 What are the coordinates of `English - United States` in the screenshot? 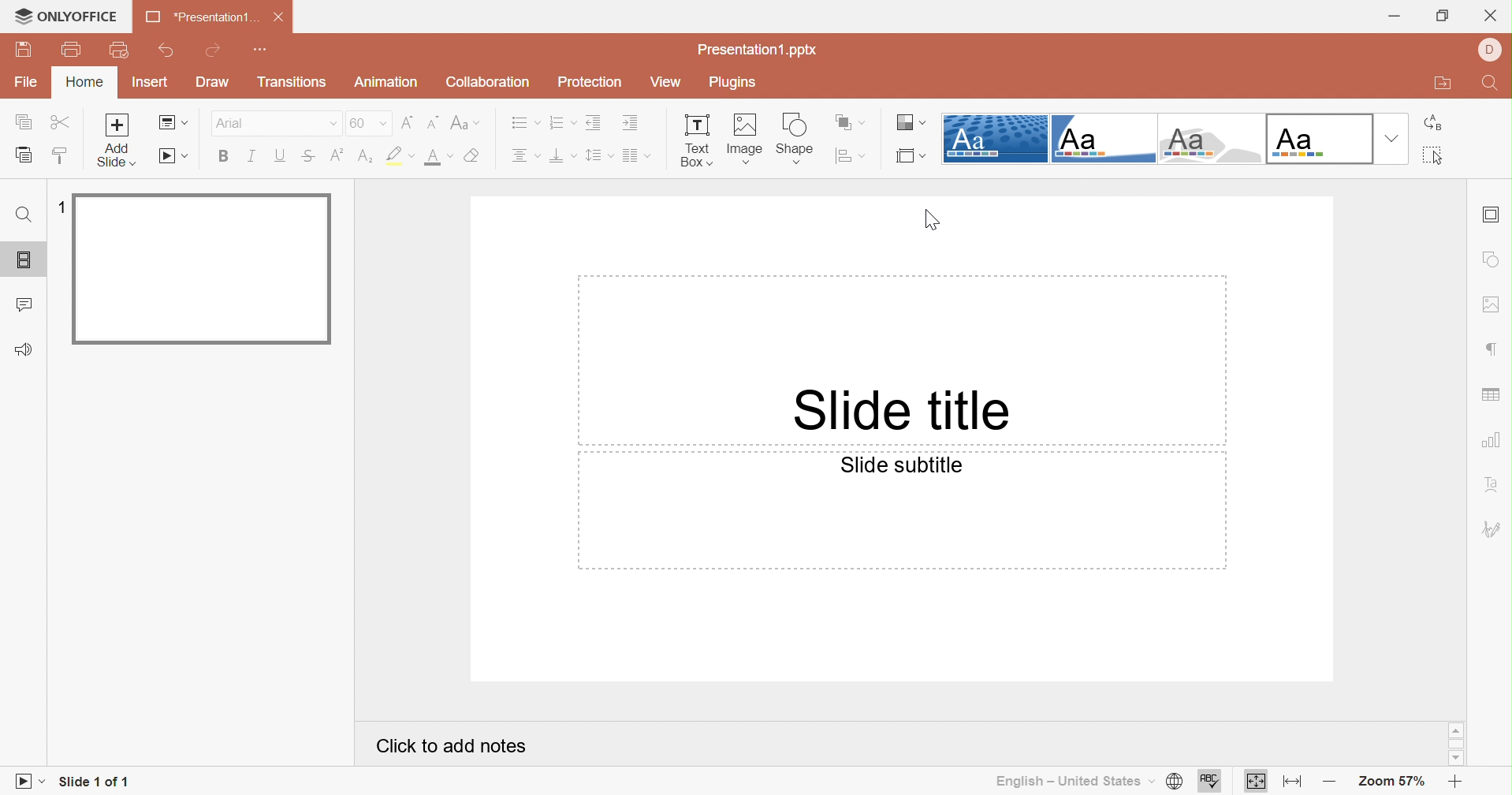 It's located at (1072, 784).